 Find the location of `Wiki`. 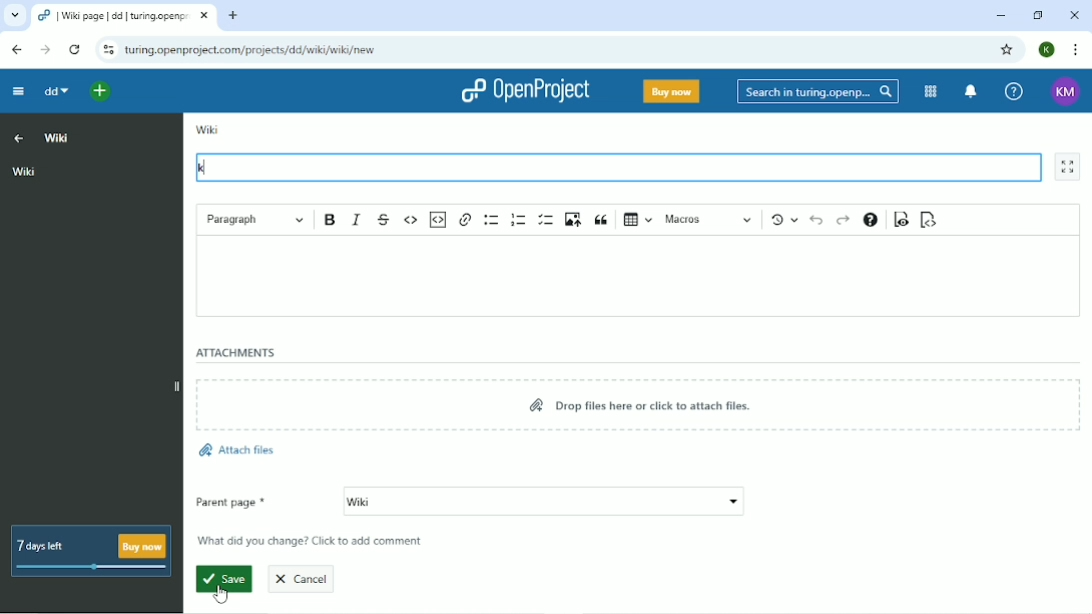

Wiki is located at coordinates (208, 129).